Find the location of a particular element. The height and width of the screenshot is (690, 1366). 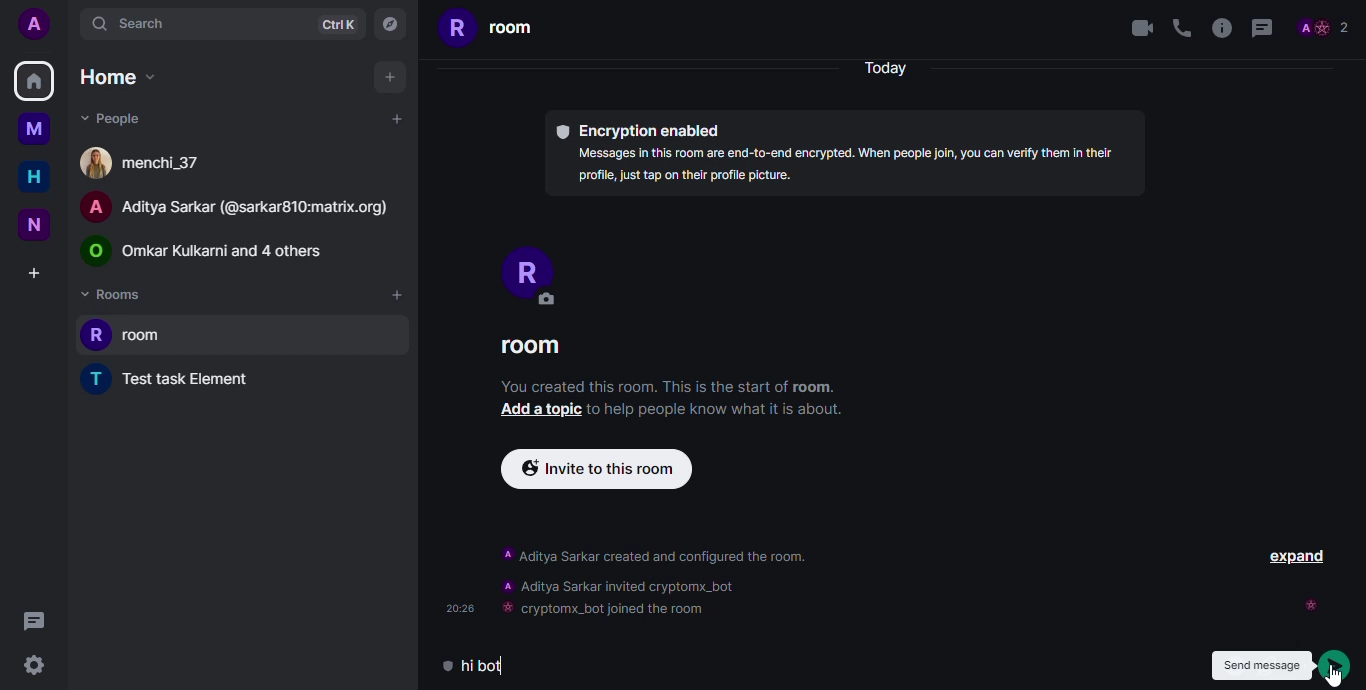

Cursor is located at coordinates (1340, 675).